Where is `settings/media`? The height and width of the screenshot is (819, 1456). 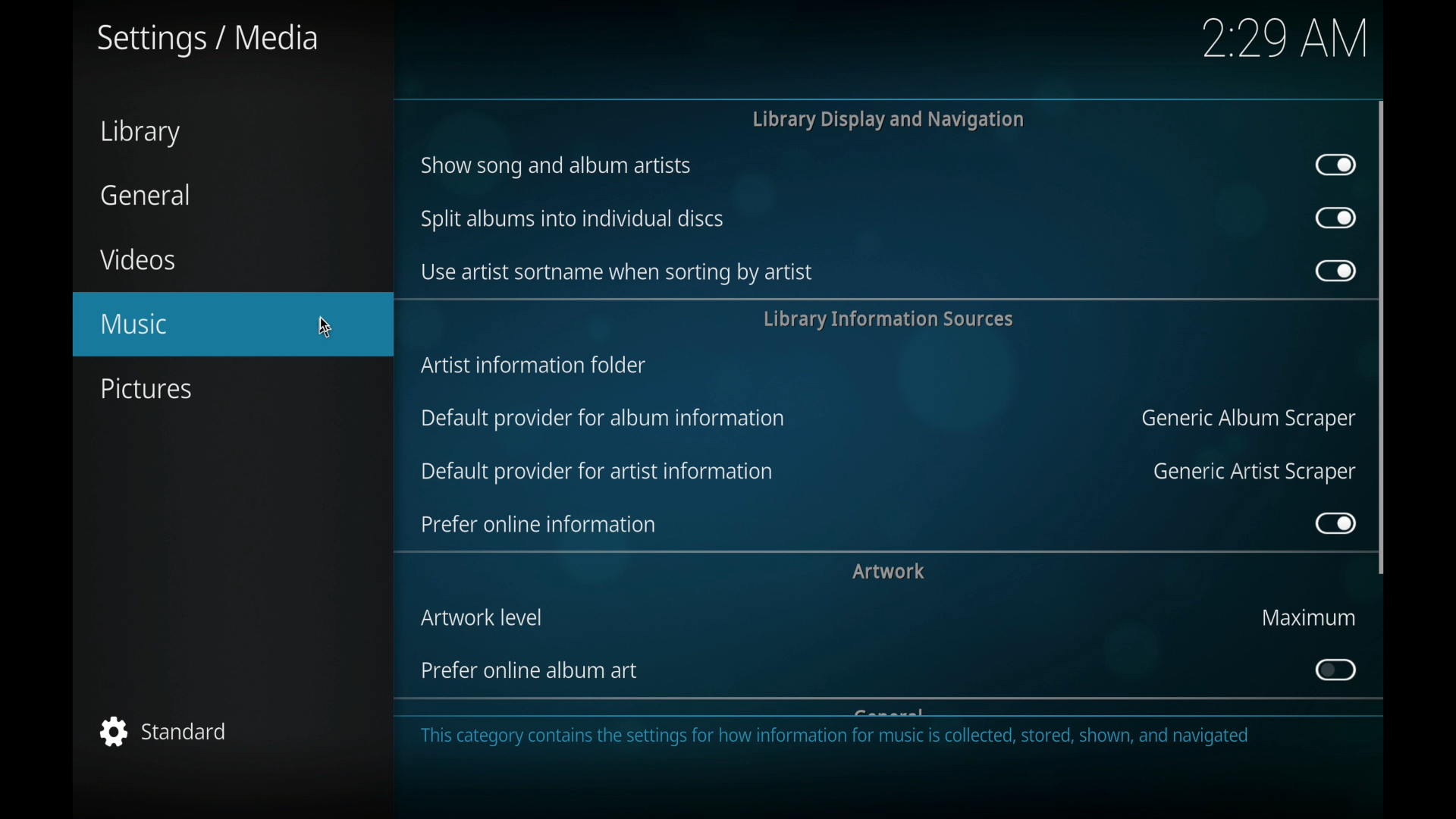 settings/media is located at coordinates (206, 39).